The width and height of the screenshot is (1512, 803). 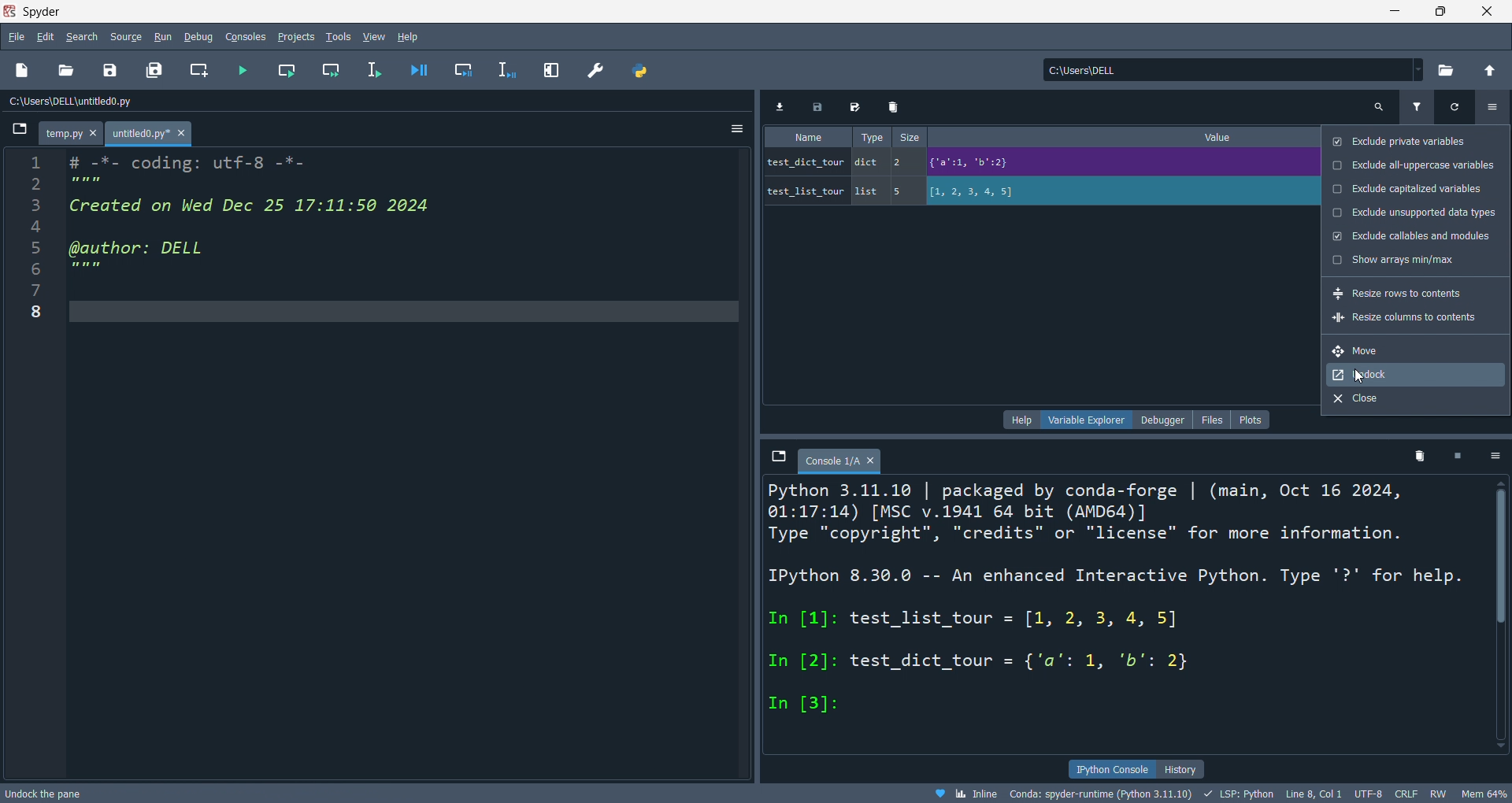 I want to click on debug file, so click(x=418, y=71).